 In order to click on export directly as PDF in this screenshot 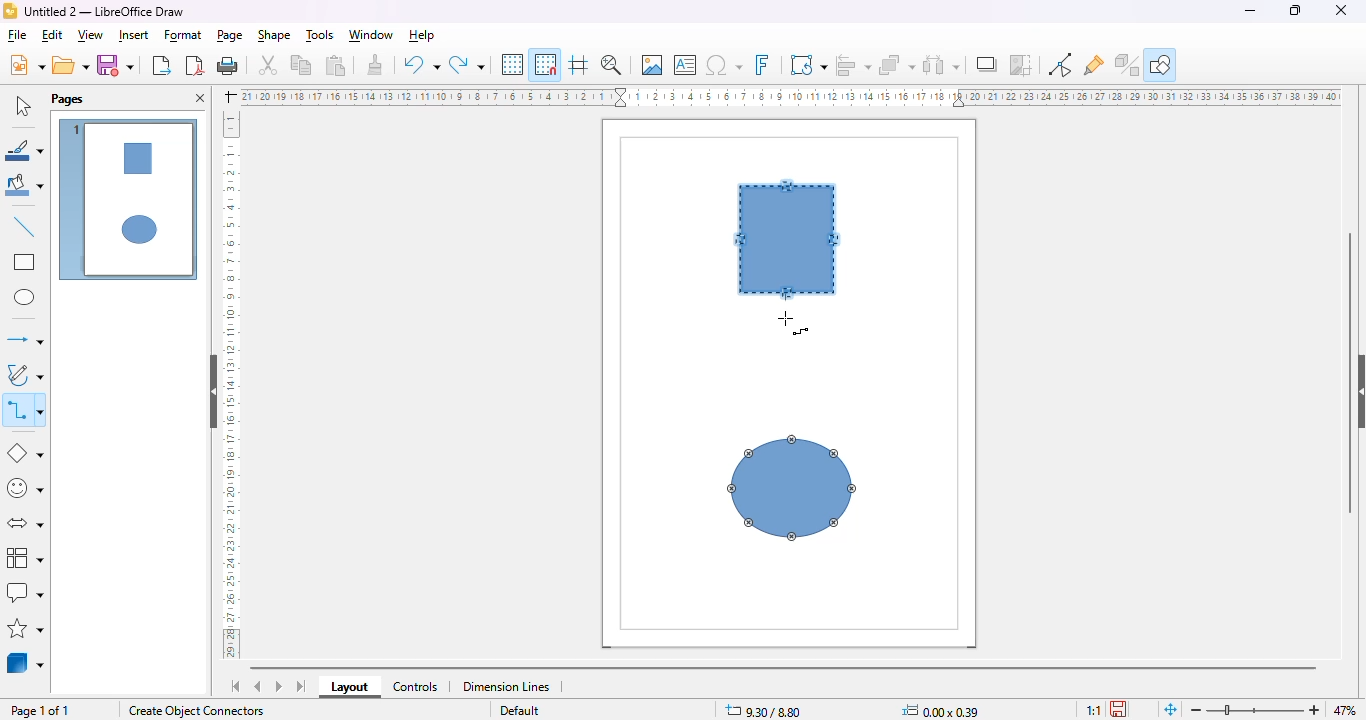, I will do `click(196, 65)`.